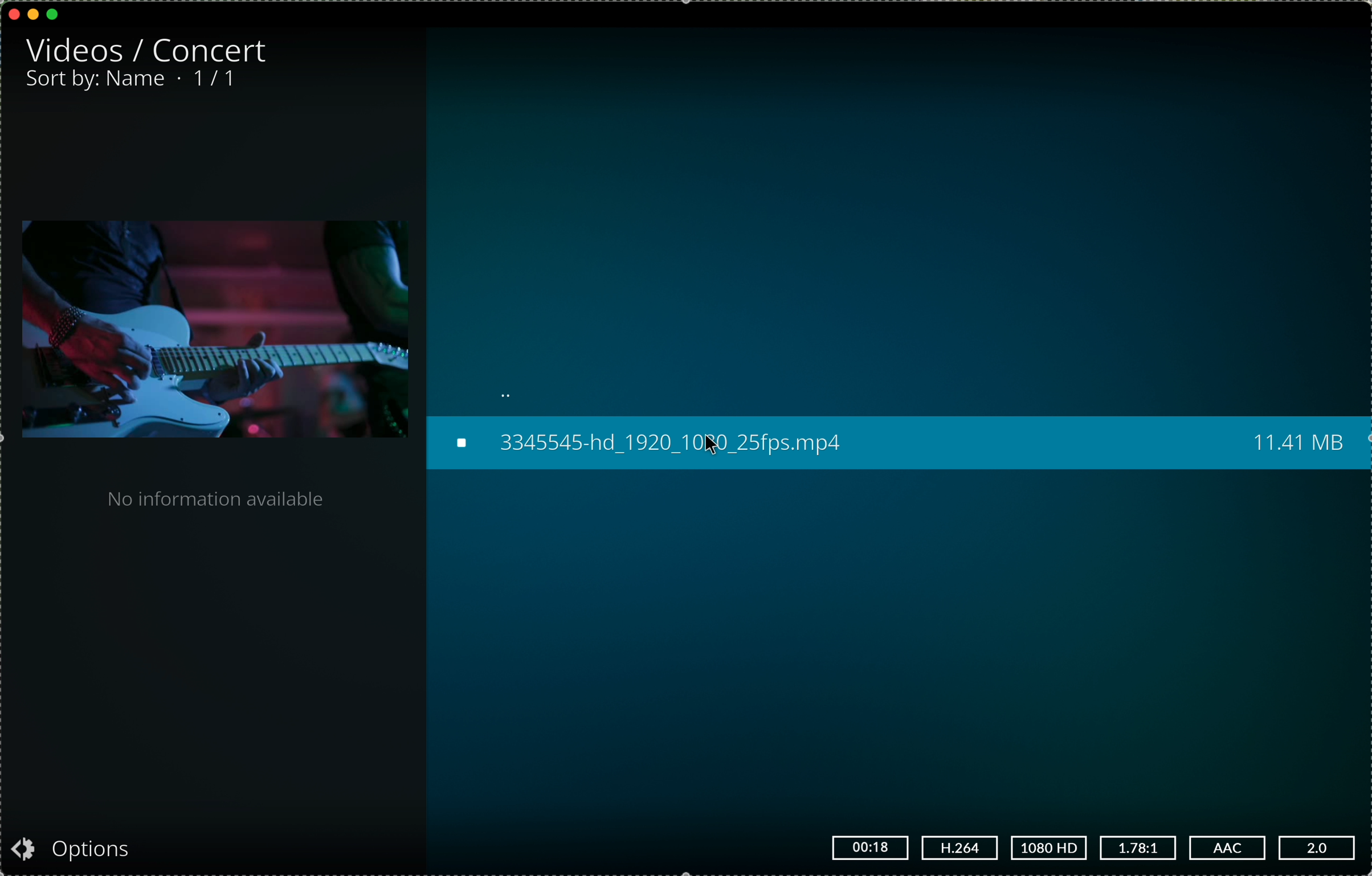 Image resolution: width=1372 pixels, height=876 pixels. What do you see at coordinates (714, 447) in the screenshot?
I see `cursor` at bounding box center [714, 447].